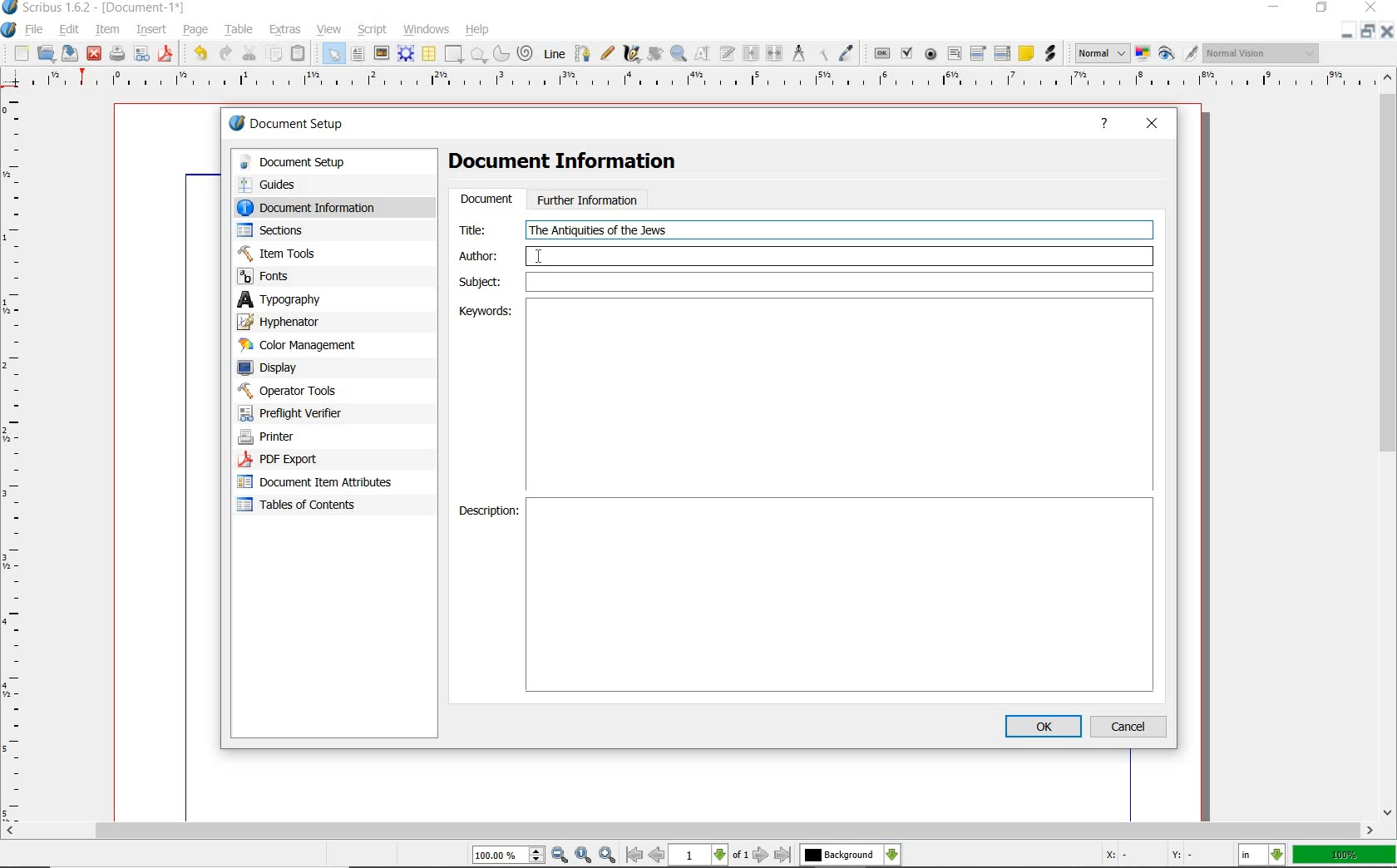 The width and height of the screenshot is (1397, 868). Describe the element at coordinates (1104, 126) in the screenshot. I see `help` at that location.